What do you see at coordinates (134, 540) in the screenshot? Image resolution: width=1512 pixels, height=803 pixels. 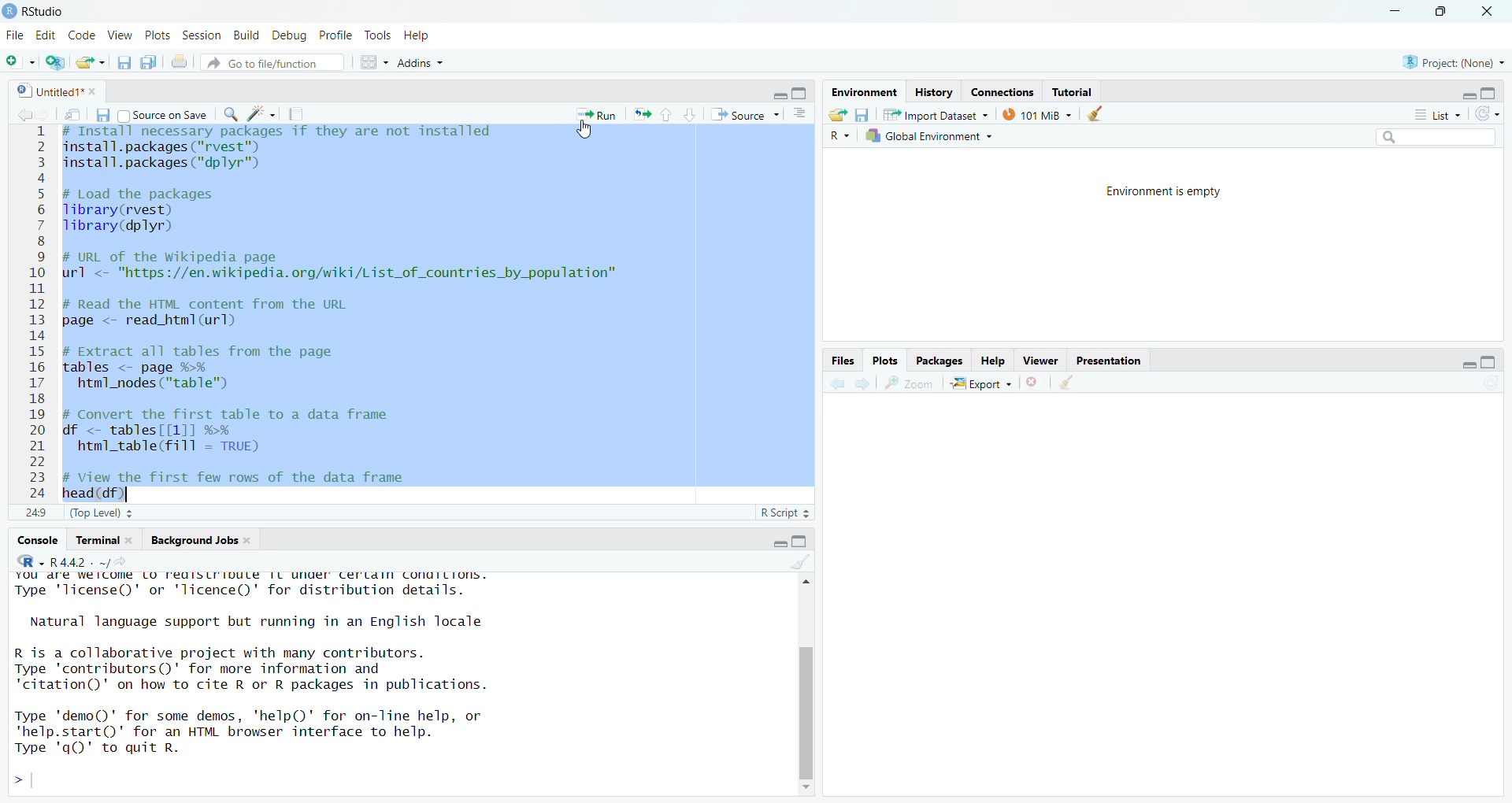 I see `close` at bounding box center [134, 540].